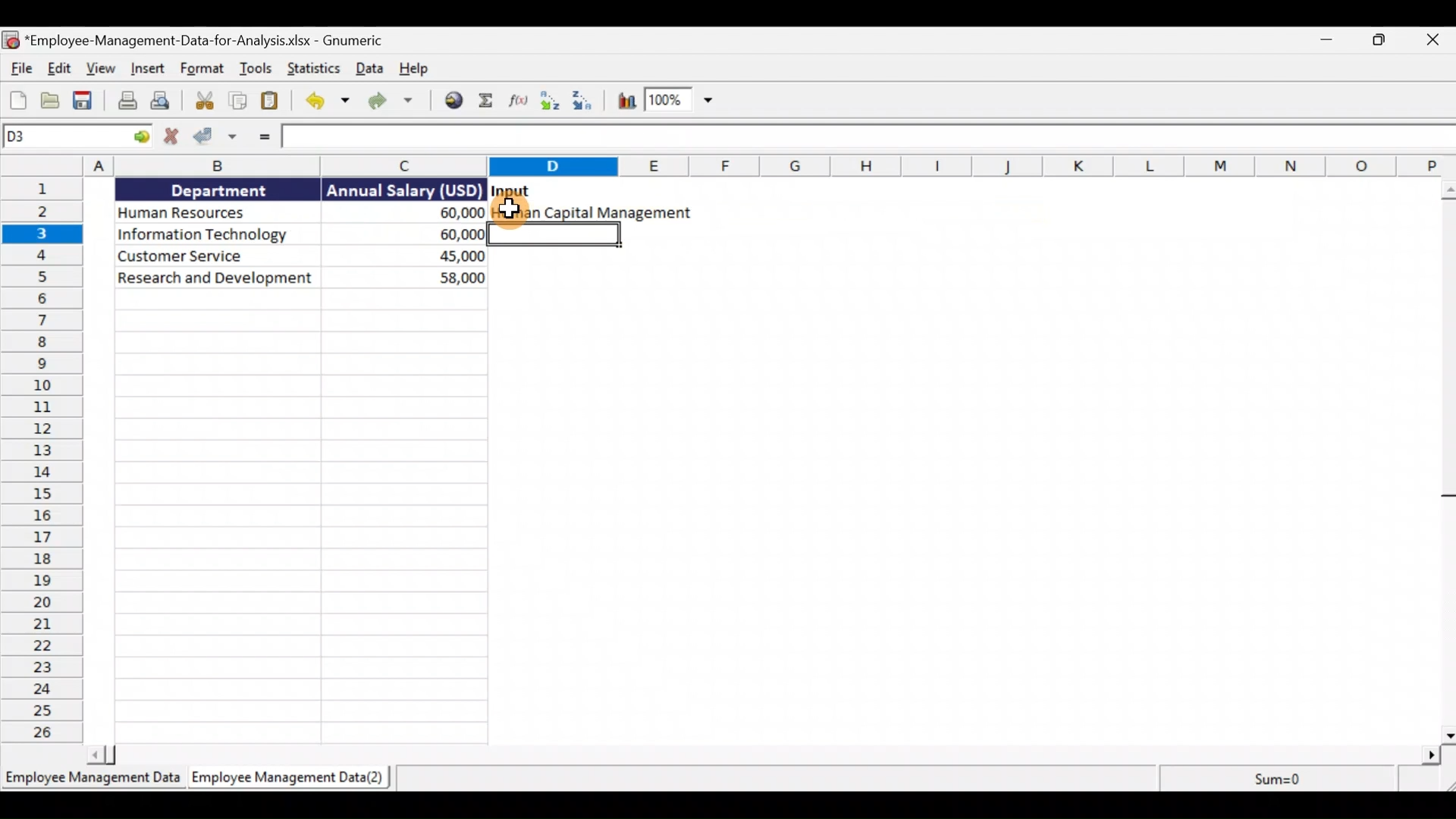 This screenshot has width=1456, height=819. Describe the element at coordinates (509, 211) in the screenshot. I see `Cursor` at that location.